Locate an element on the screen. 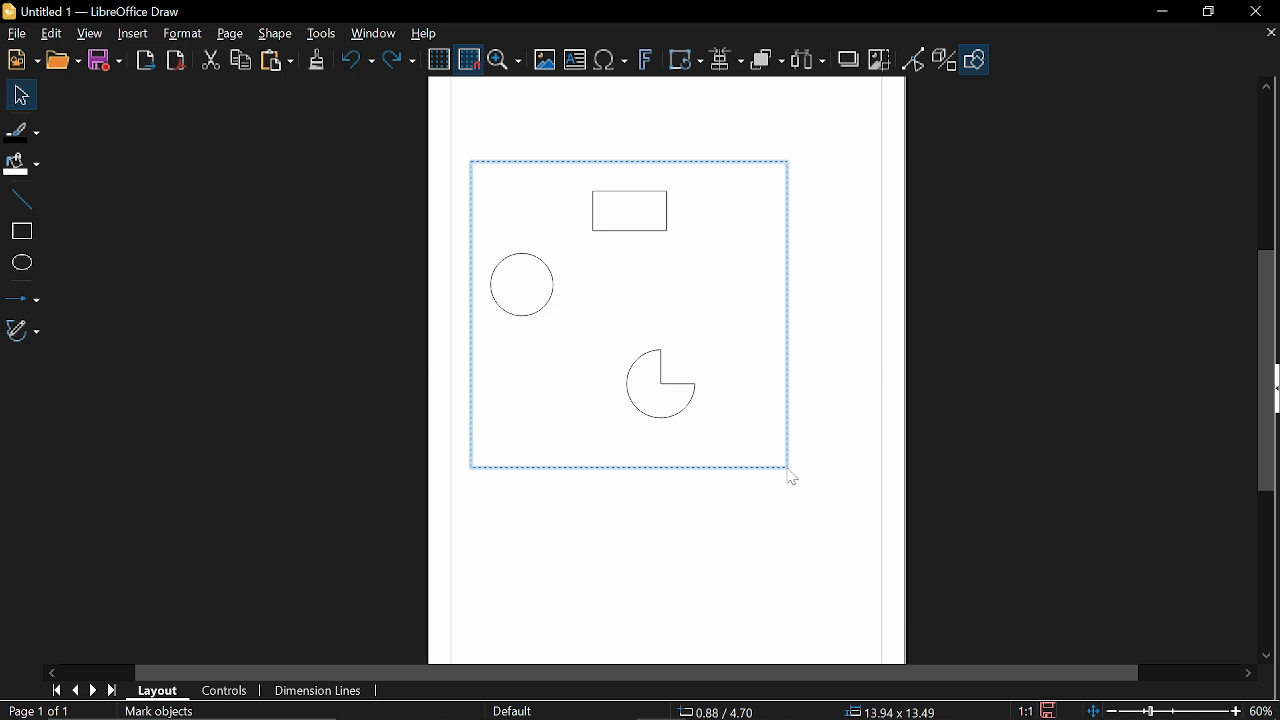 Image resolution: width=1280 pixels, height=720 pixels. Snap to grid is located at coordinates (468, 57).